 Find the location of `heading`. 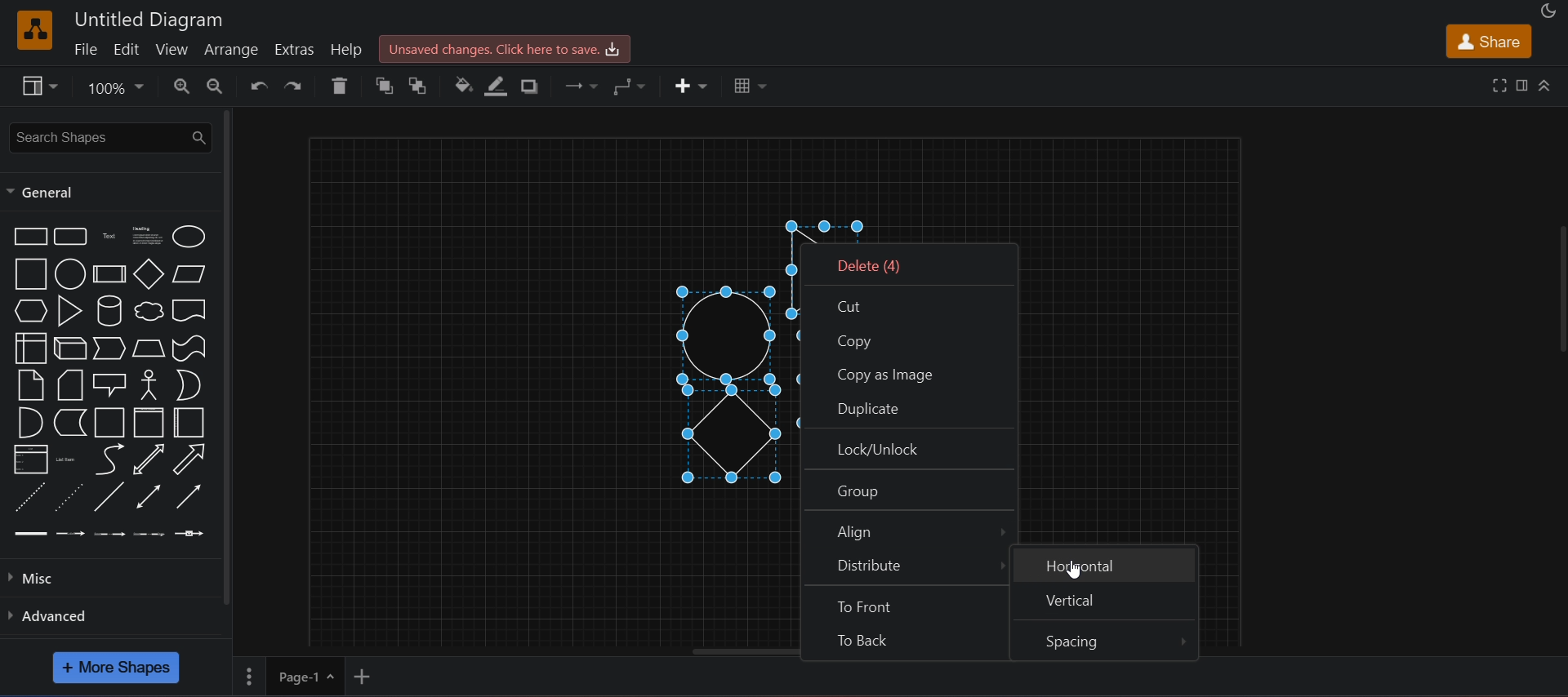

heading is located at coordinates (146, 238).